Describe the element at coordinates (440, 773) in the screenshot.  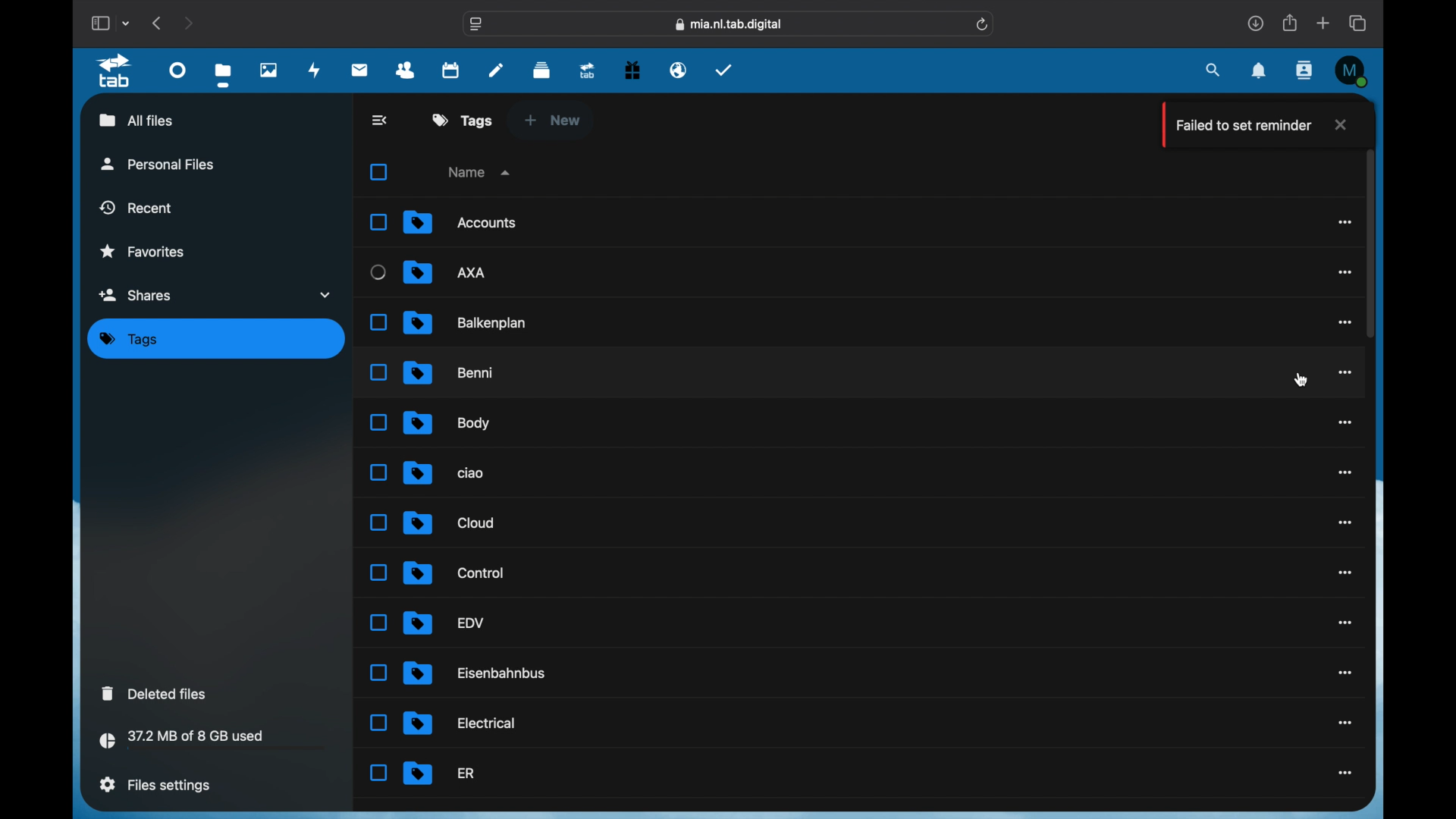
I see `file` at that location.